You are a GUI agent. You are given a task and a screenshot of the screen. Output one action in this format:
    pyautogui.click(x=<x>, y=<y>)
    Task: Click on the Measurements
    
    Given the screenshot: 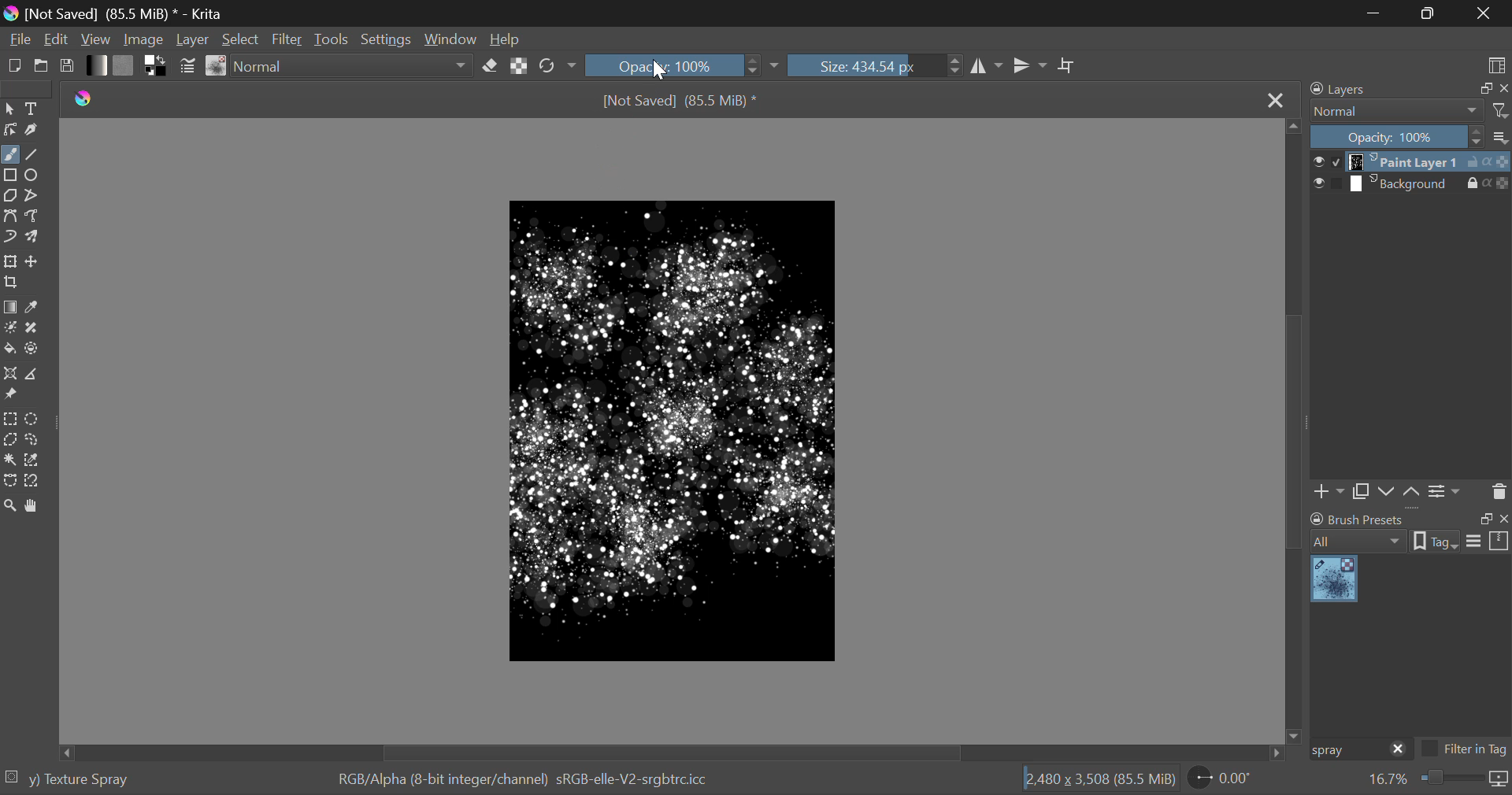 What is the action you would take?
    pyautogui.click(x=30, y=375)
    